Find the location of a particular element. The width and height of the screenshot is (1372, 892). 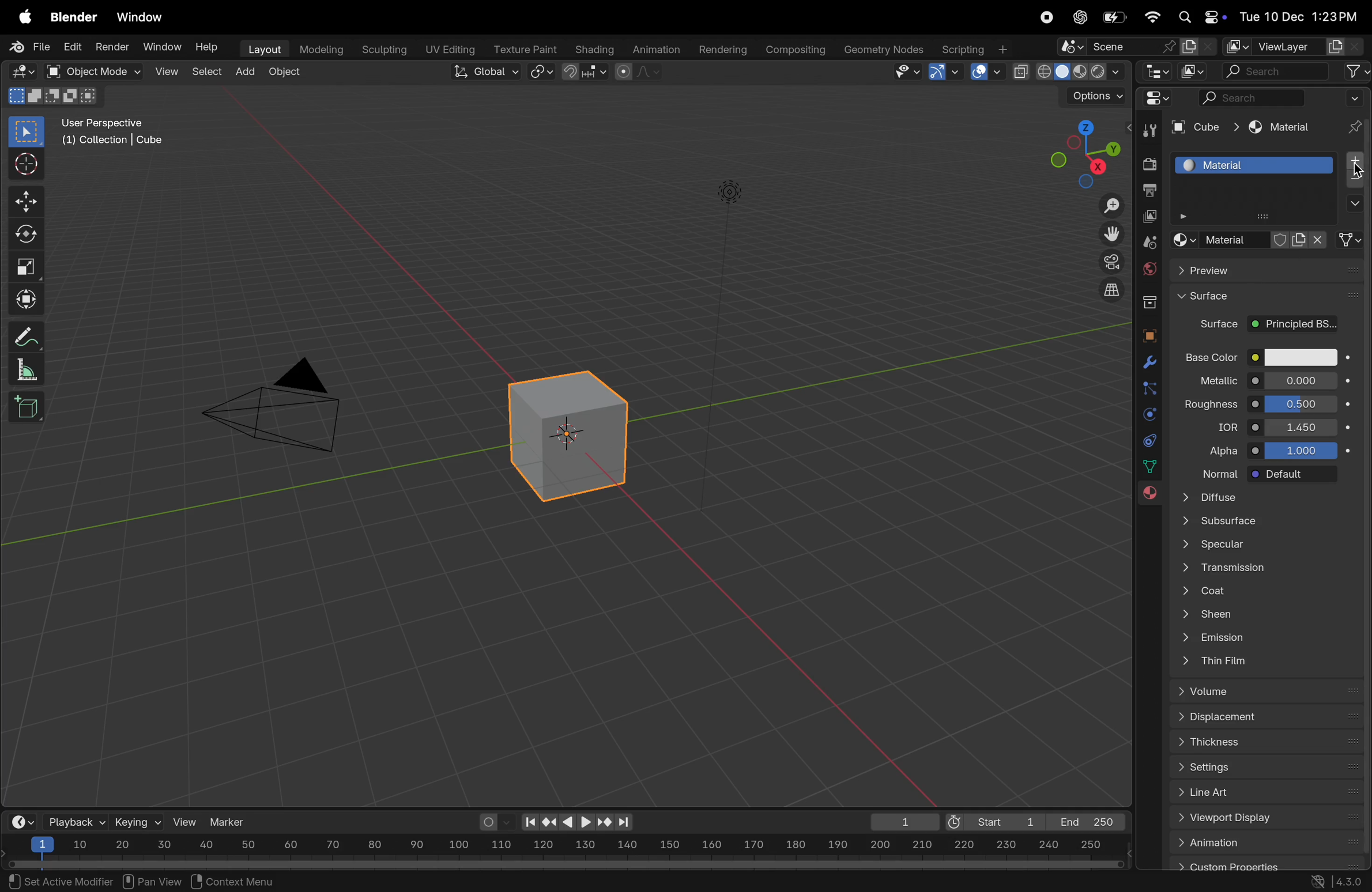

cube is located at coordinates (1353, 240).